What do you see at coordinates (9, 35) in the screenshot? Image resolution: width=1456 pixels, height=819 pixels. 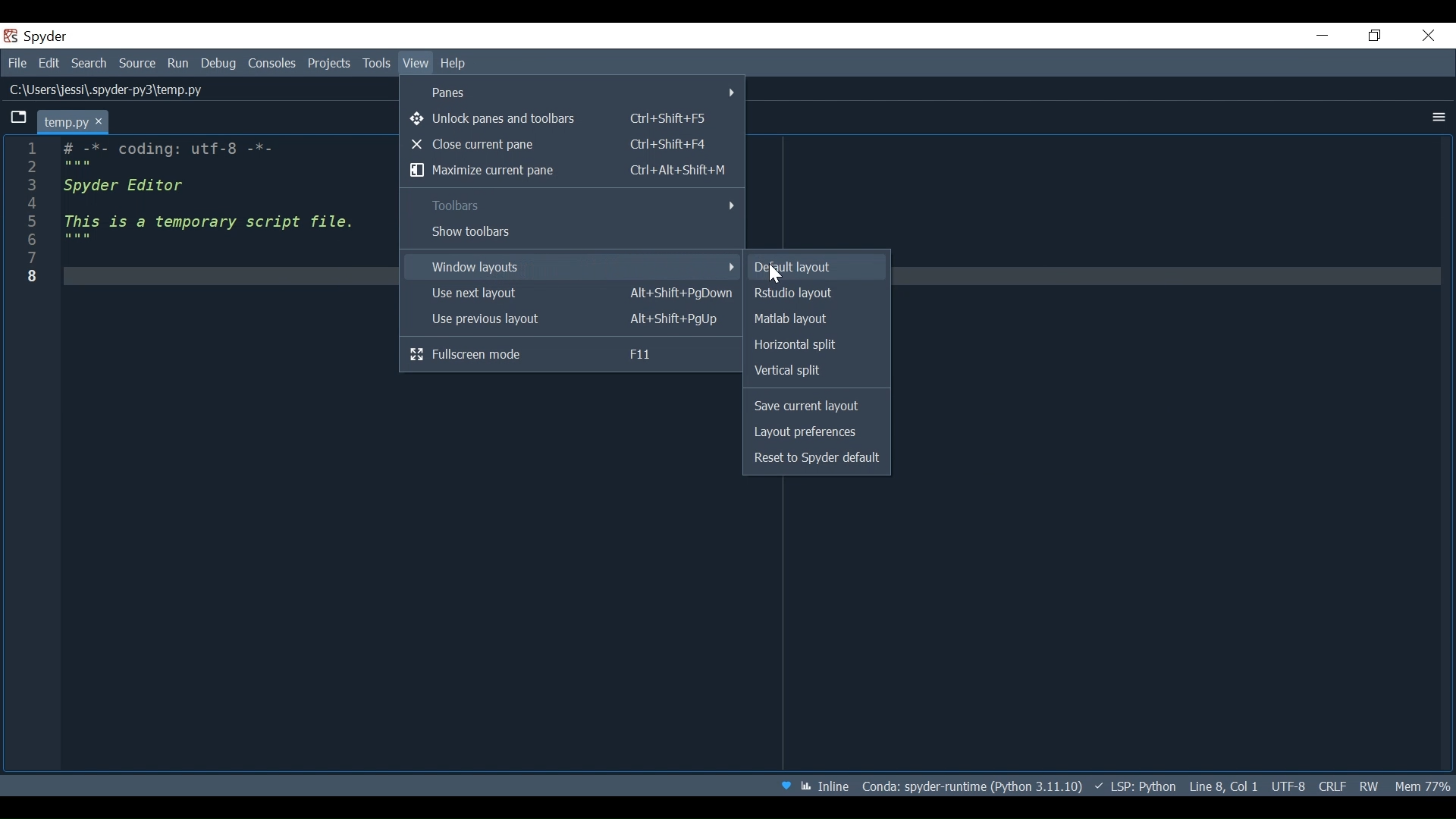 I see `Spyder Desktop Icon` at bounding box center [9, 35].